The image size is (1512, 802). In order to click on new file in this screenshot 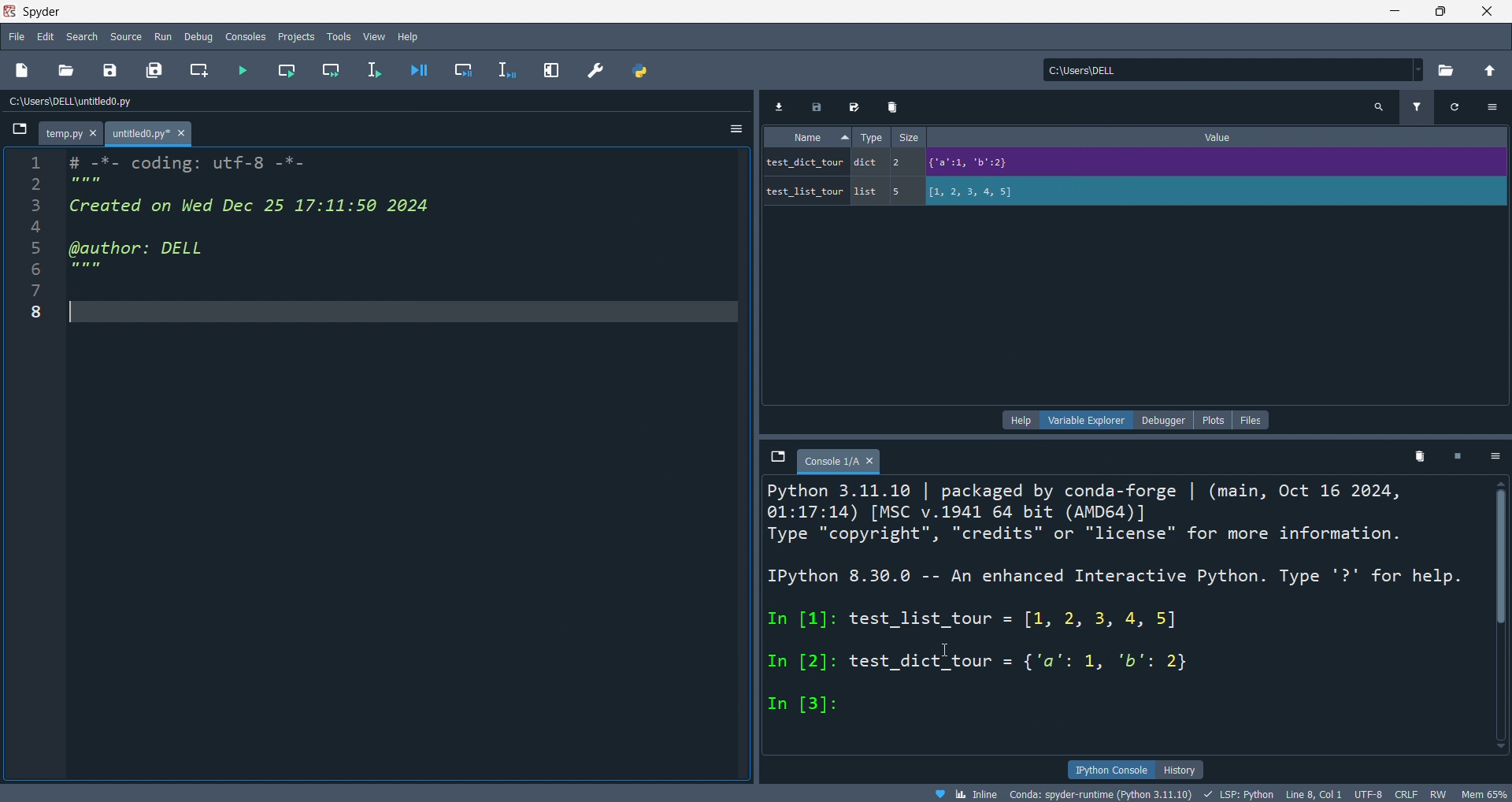, I will do `click(25, 71)`.